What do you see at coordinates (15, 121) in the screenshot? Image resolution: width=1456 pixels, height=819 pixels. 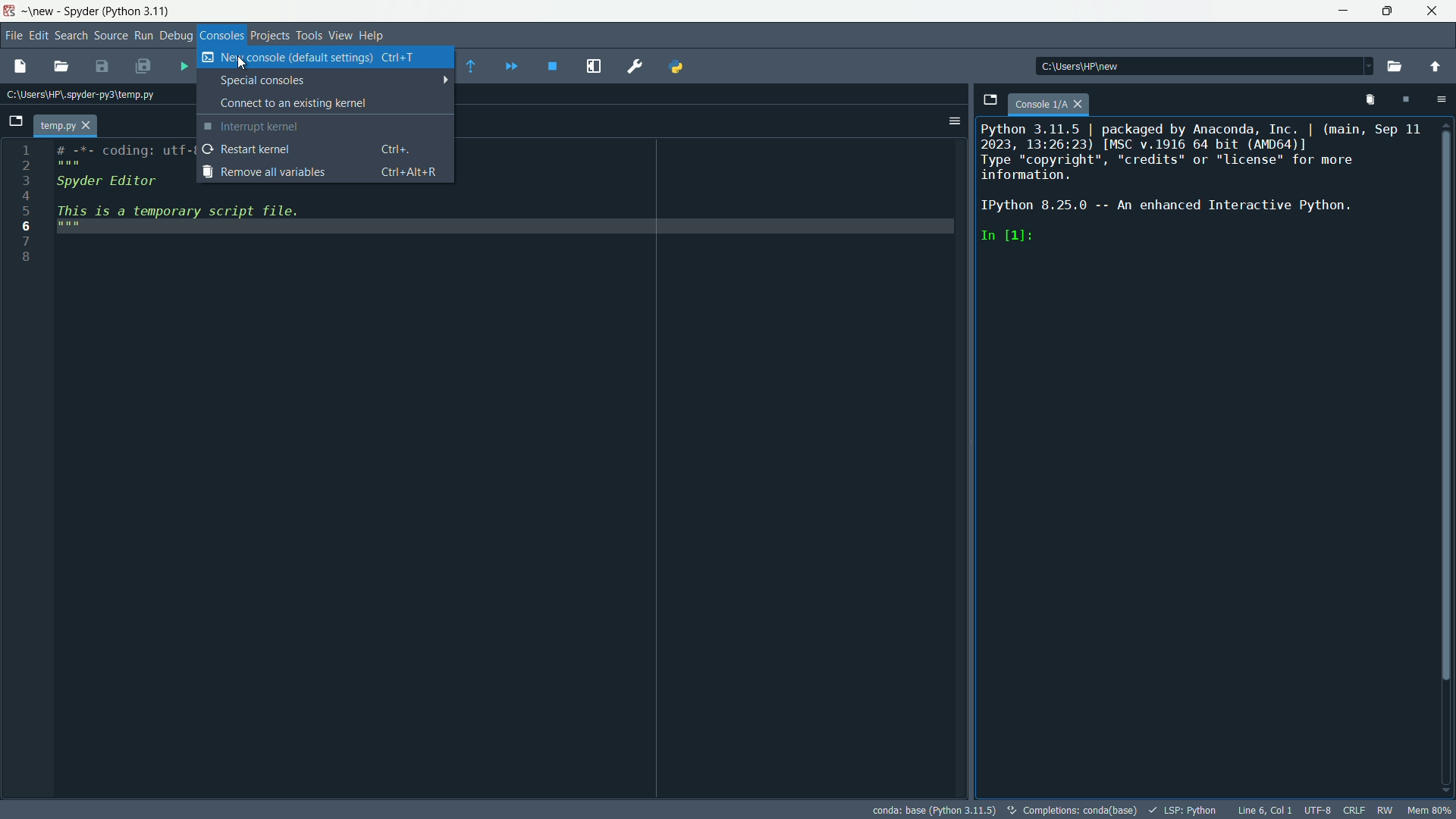 I see `browse tabs` at bounding box center [15, 121].